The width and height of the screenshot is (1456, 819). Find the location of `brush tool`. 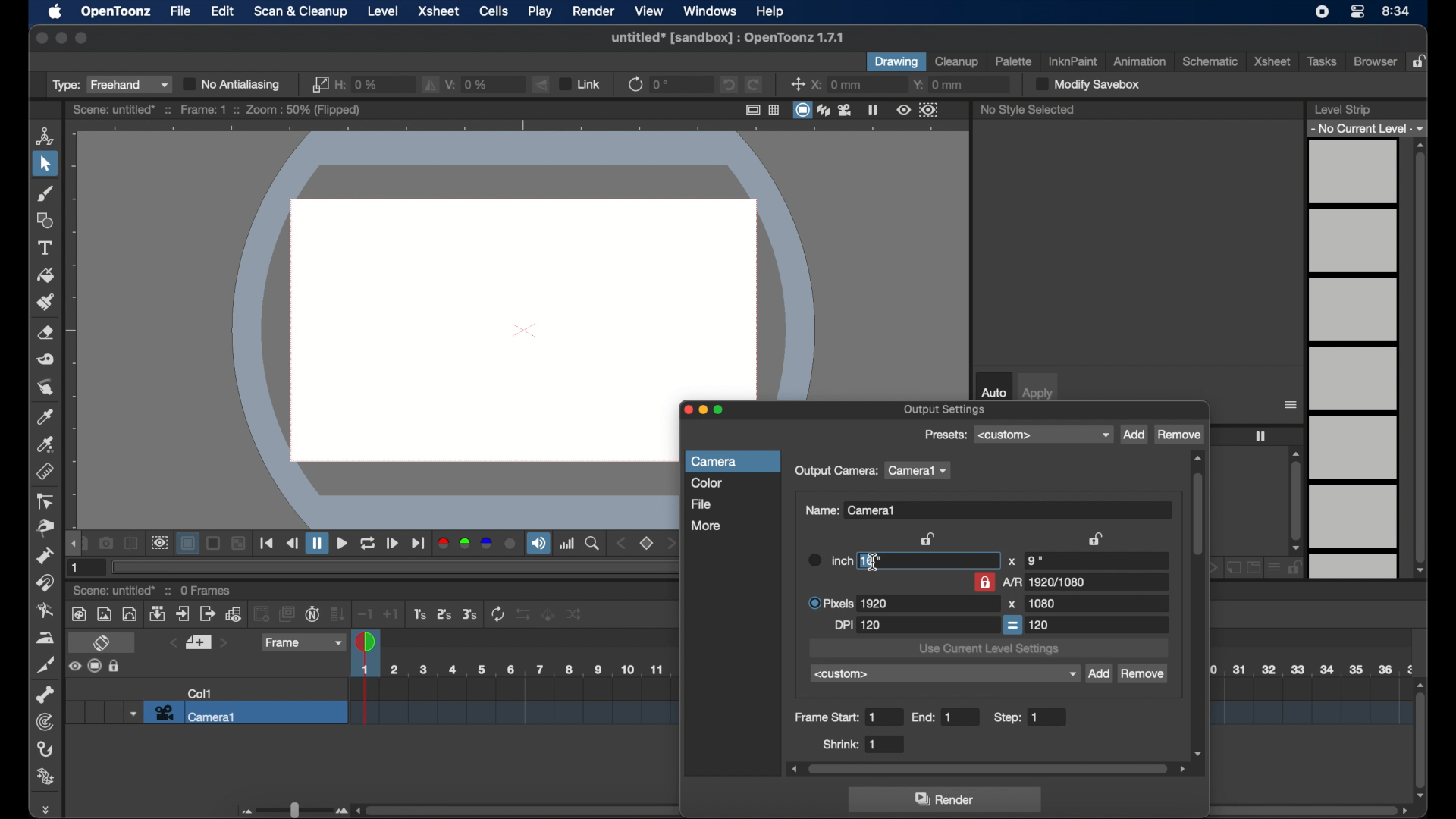

brush tool is located at coordinates (45, 193).